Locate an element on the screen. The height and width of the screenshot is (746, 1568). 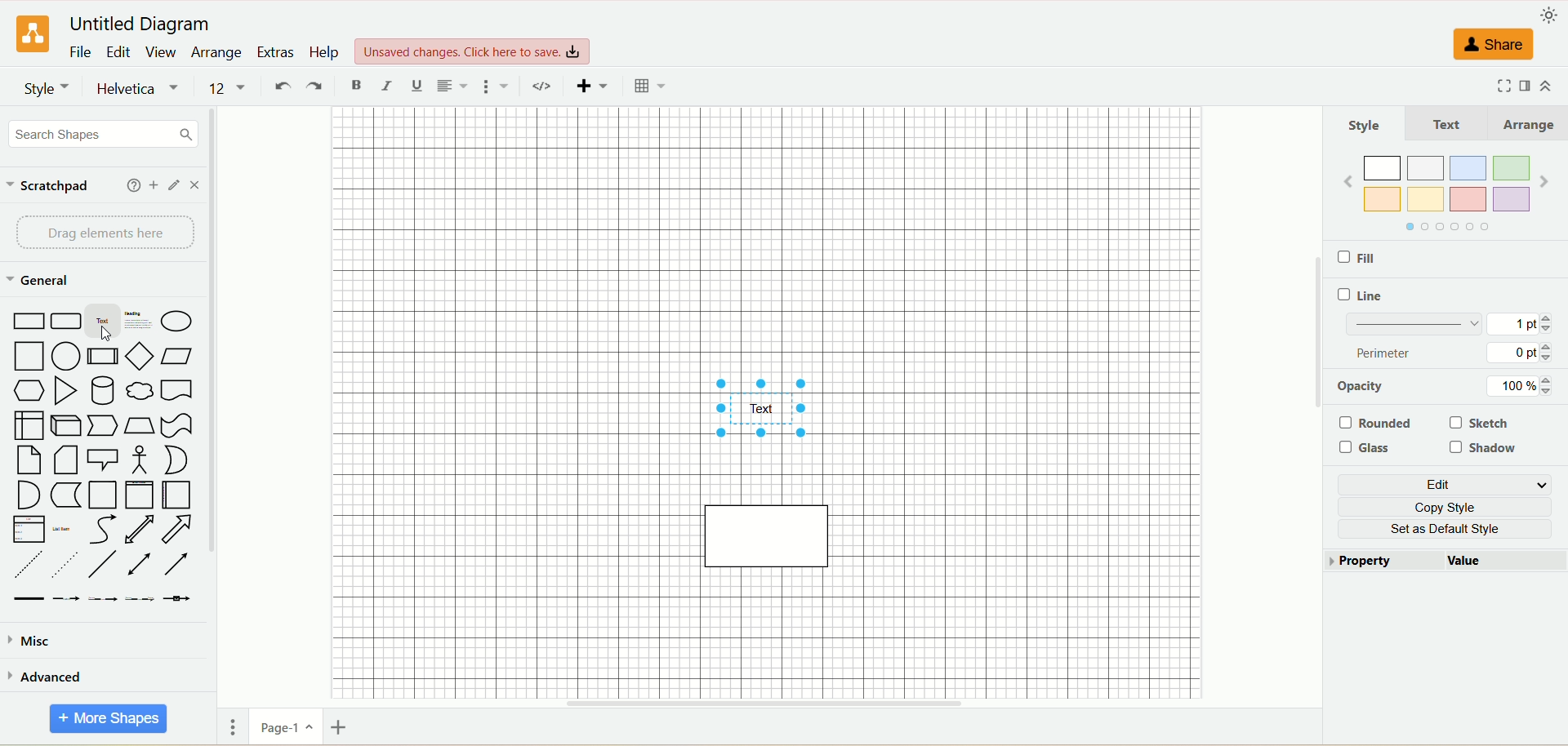
diamond is located at coordinates (140, 354).